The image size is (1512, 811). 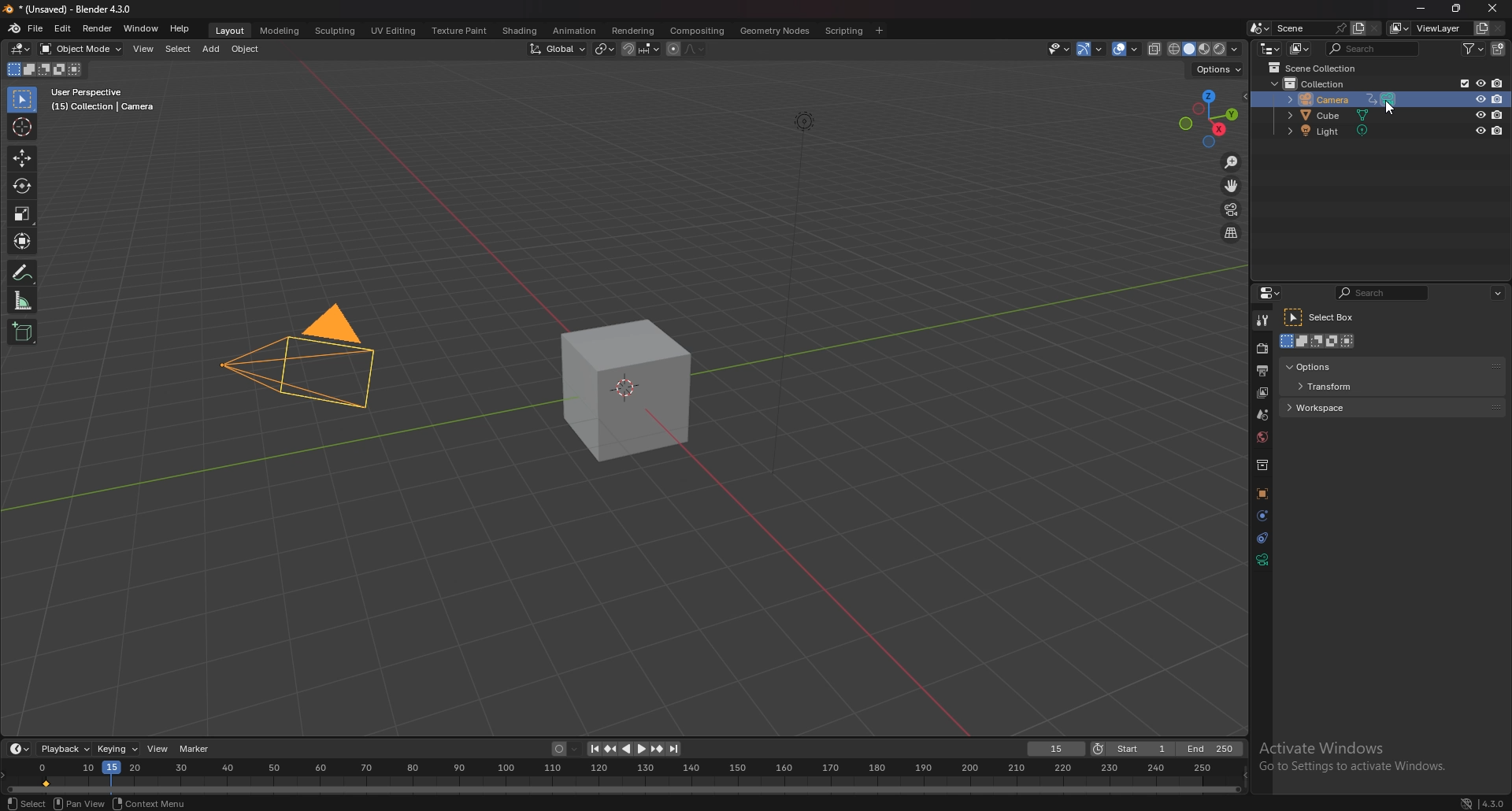 What do you see at coordinates (557, 49) in the screenshot?
I see `transform orientation` at bounding box center [557, 49].